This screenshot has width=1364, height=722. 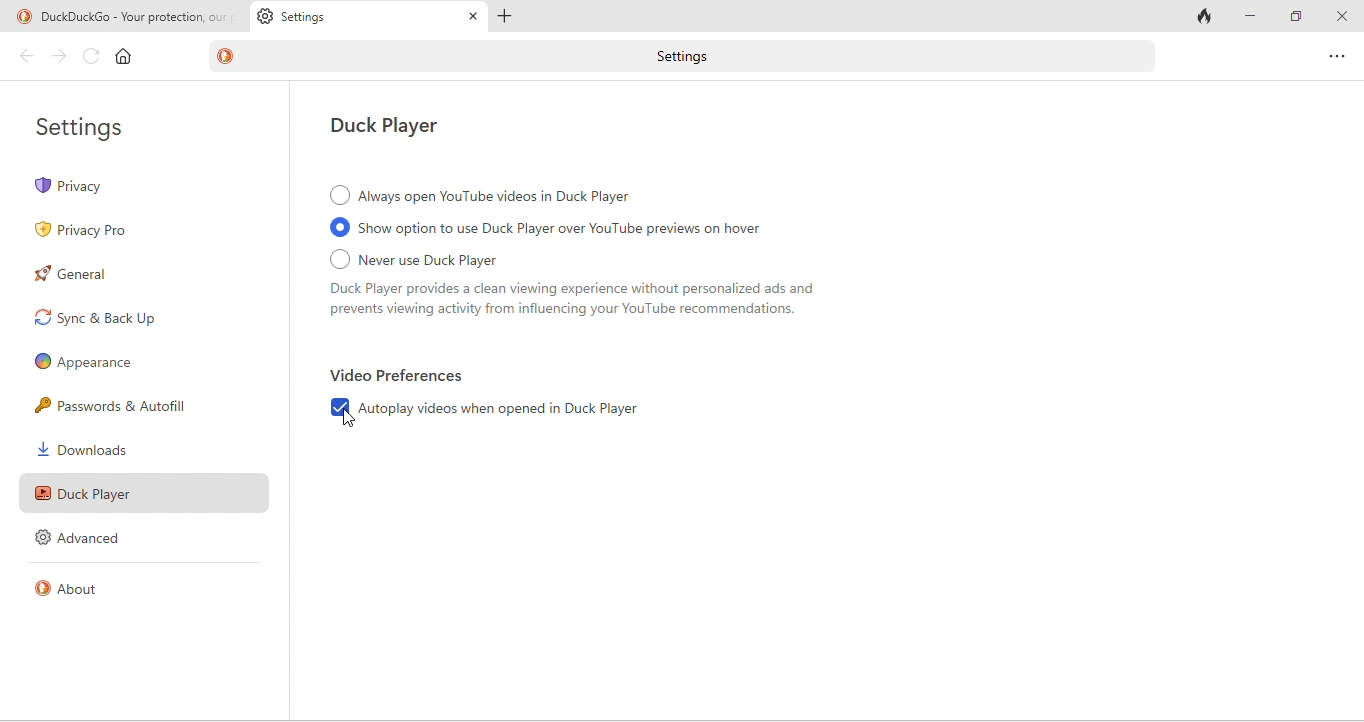 What do you see at coordinates (124, 56) in the screenshot?
I see `home` at bounding box center [124, 56].